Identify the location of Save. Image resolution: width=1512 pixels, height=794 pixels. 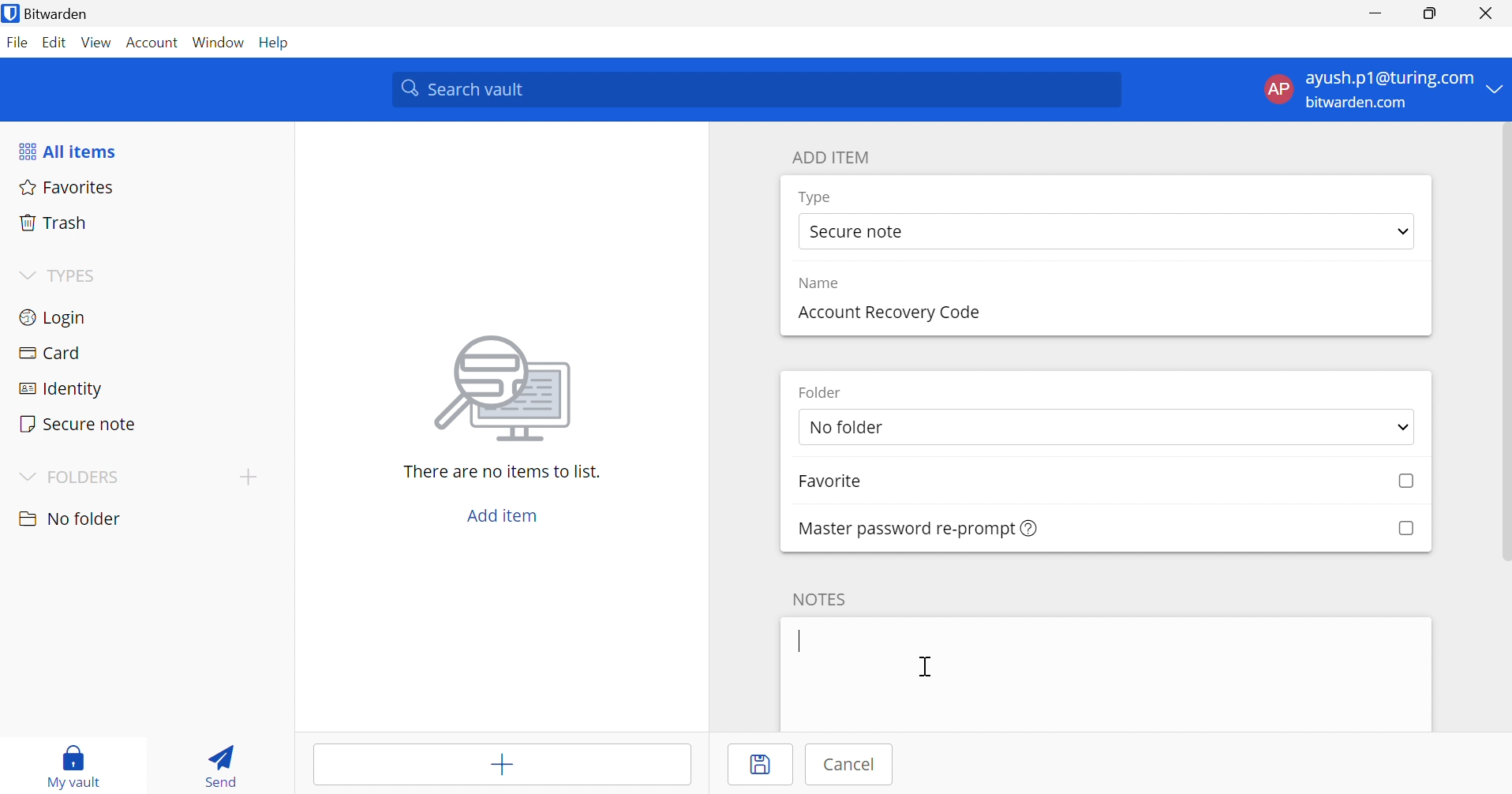
(765, 766).